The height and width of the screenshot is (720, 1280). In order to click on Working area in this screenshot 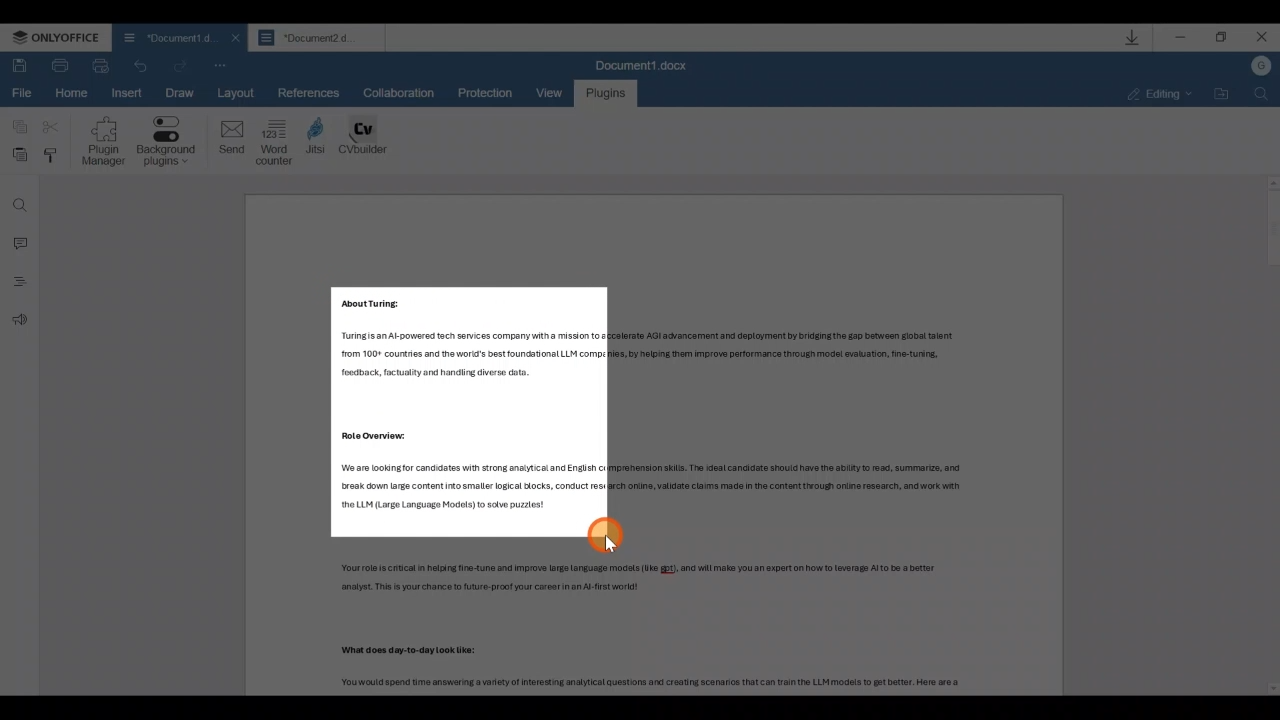, I will do `click(656, 444)`.